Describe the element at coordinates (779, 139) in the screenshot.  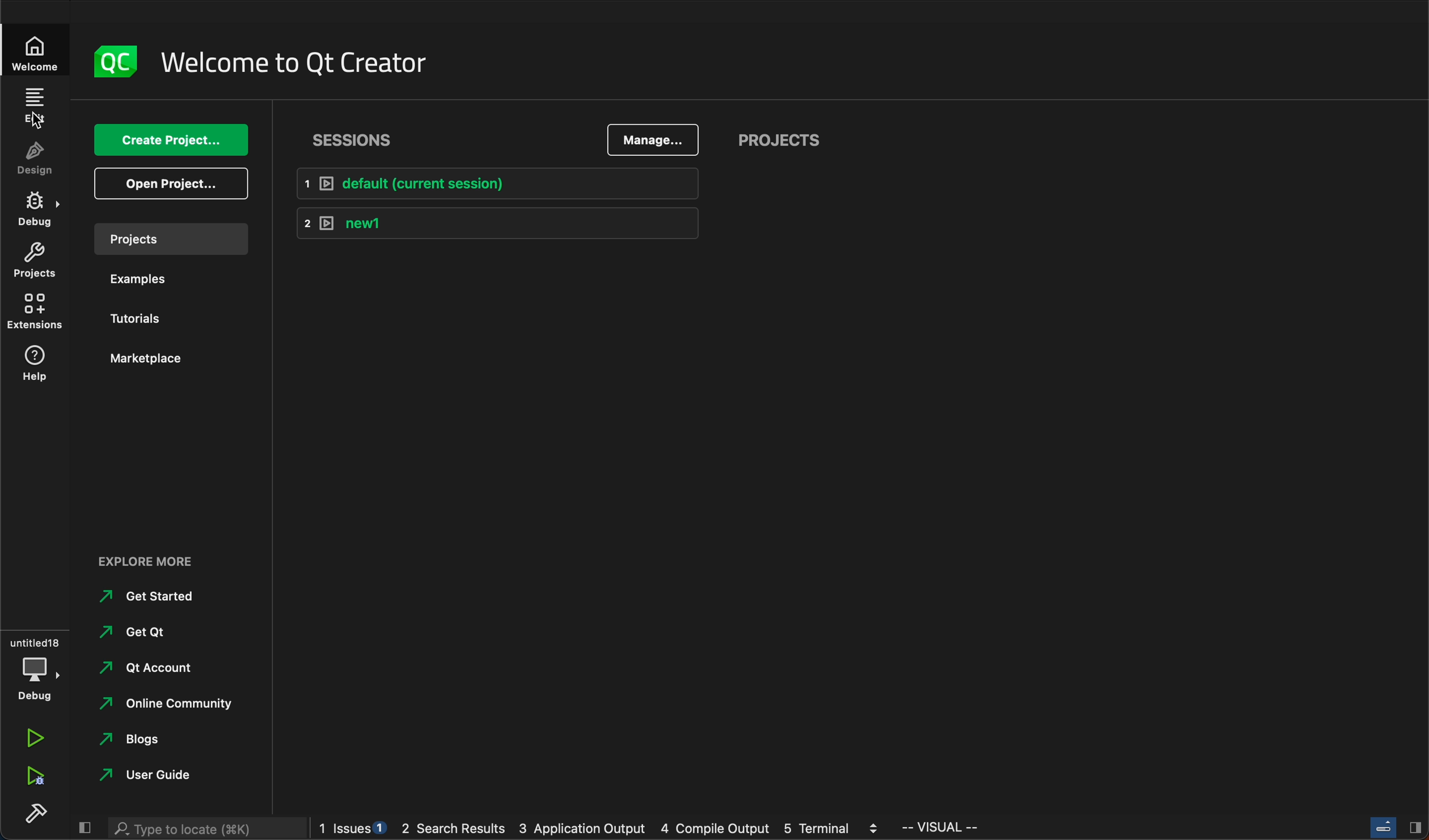
I see `projects` at that location.